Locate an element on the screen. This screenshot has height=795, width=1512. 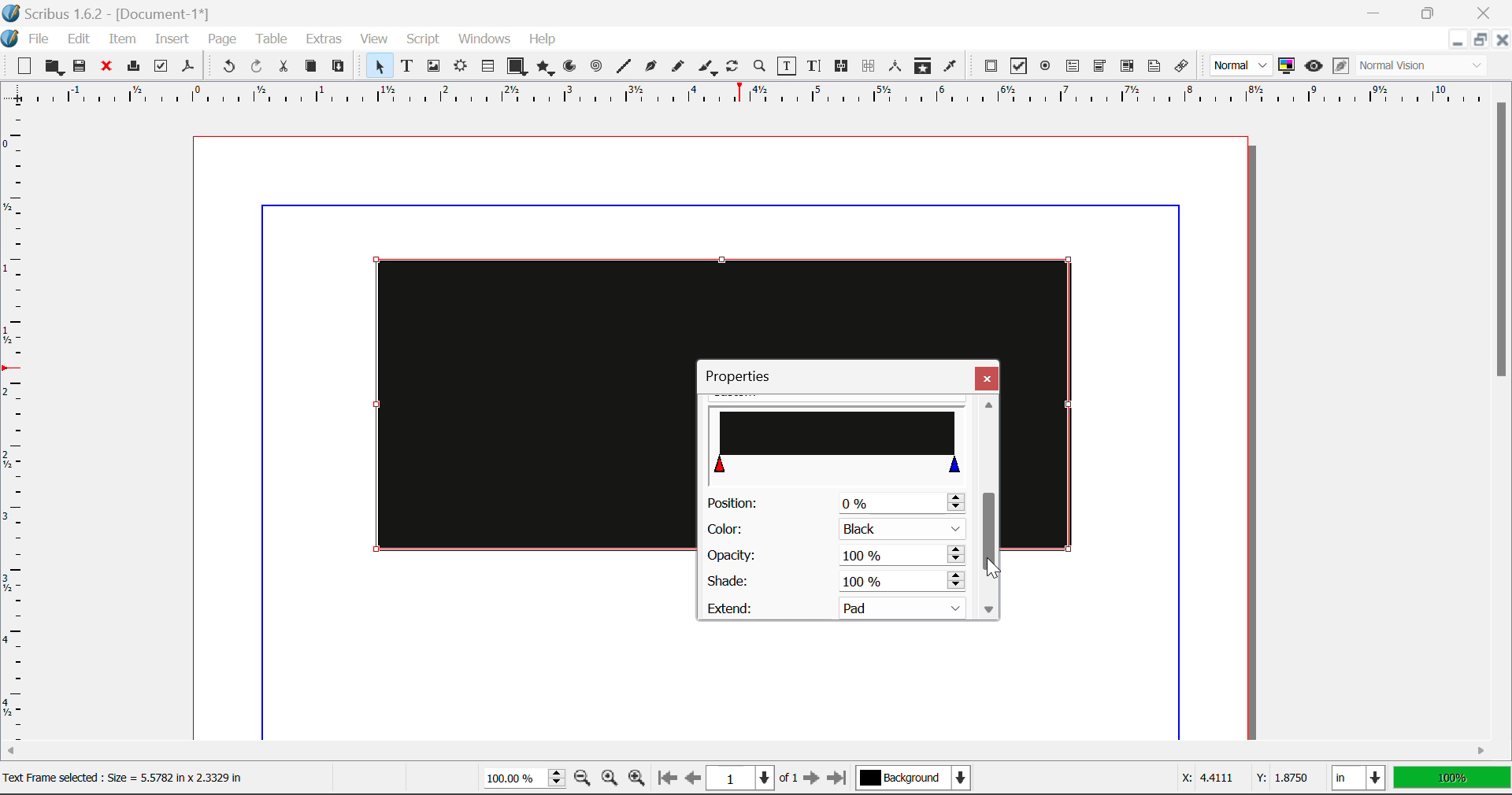
PDF List Box is located at coordinates (1128, 66).